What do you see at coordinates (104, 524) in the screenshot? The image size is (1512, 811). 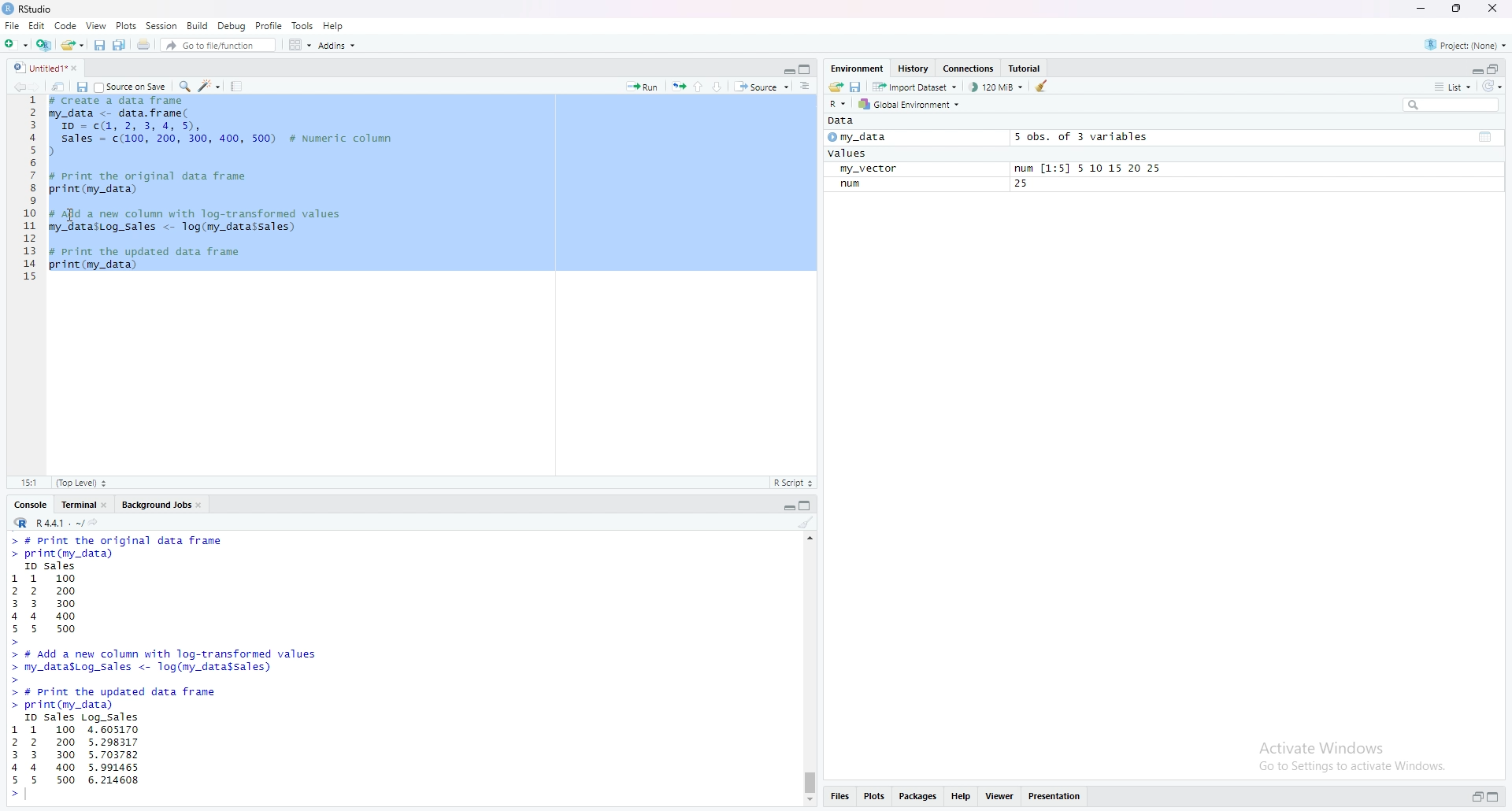 I see `view the current working directory` at bounding box center [104, 524].